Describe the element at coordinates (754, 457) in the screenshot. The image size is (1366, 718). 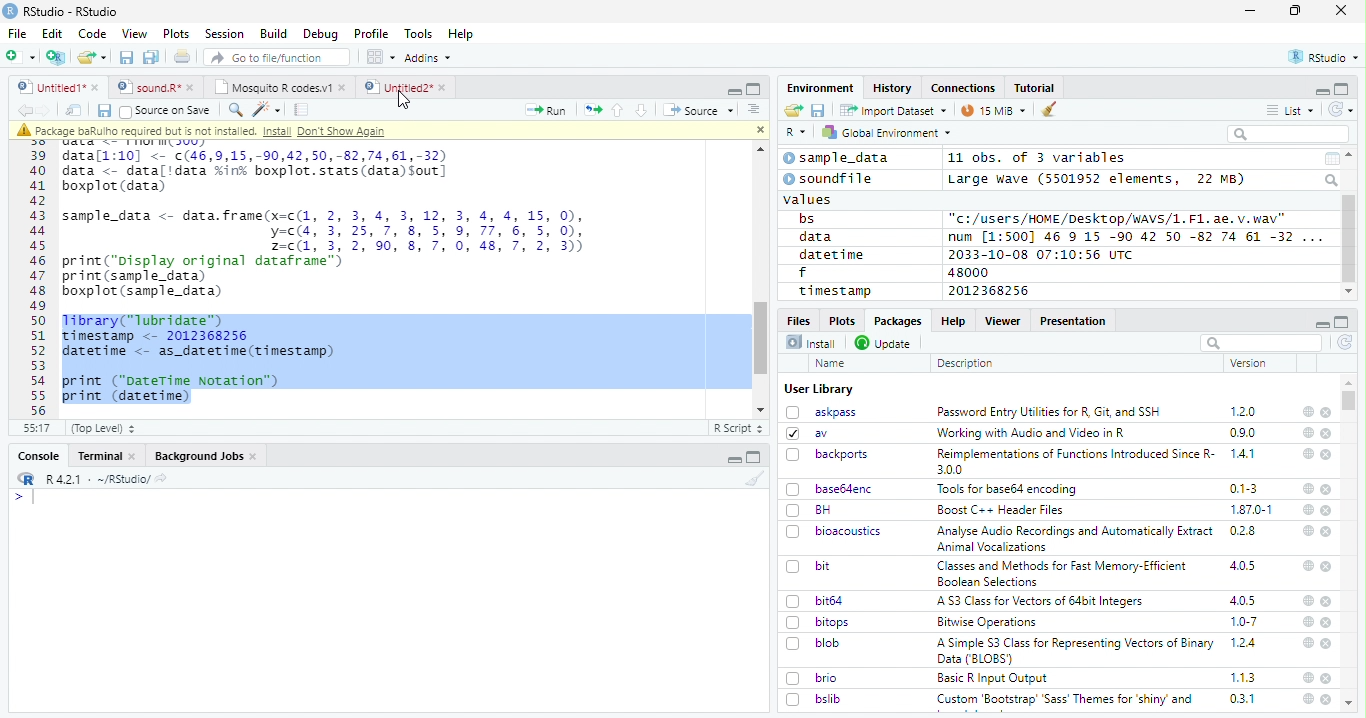
I see `Full screen` at that location.